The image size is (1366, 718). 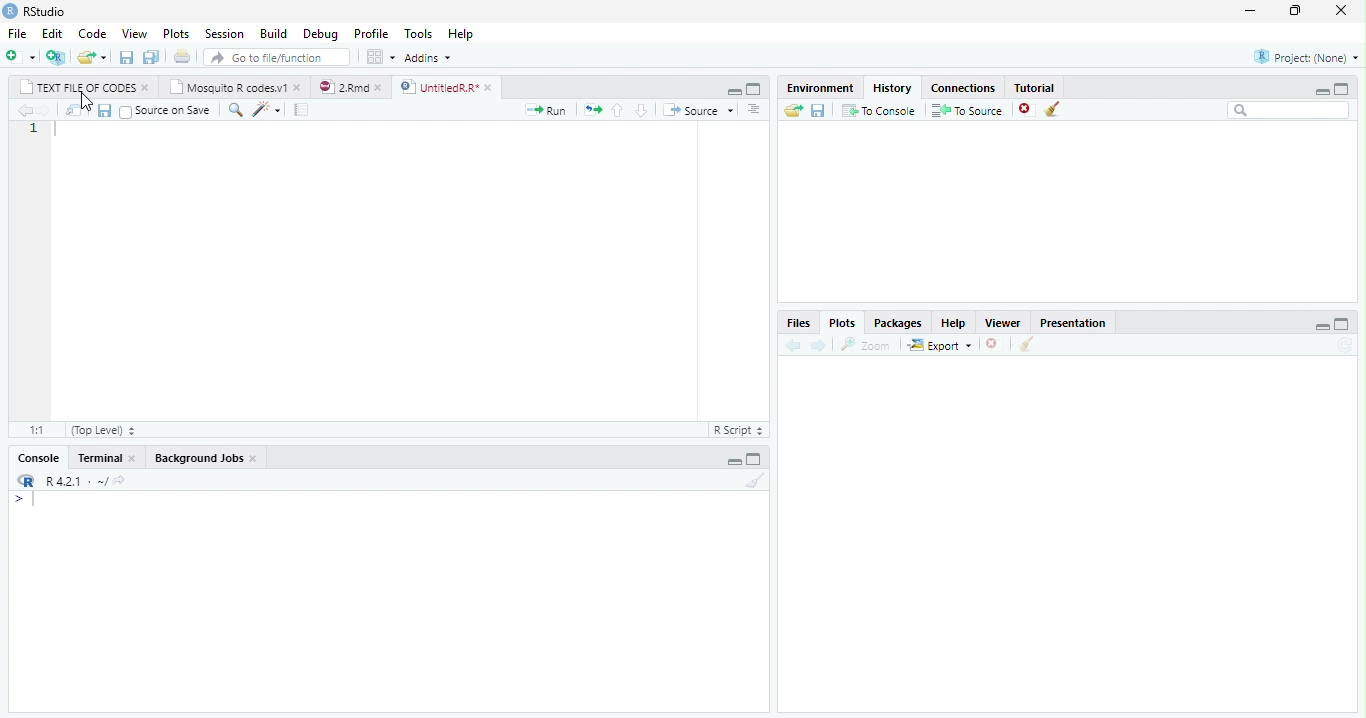 I want to click on minimize, so click(x=1250, y=10).